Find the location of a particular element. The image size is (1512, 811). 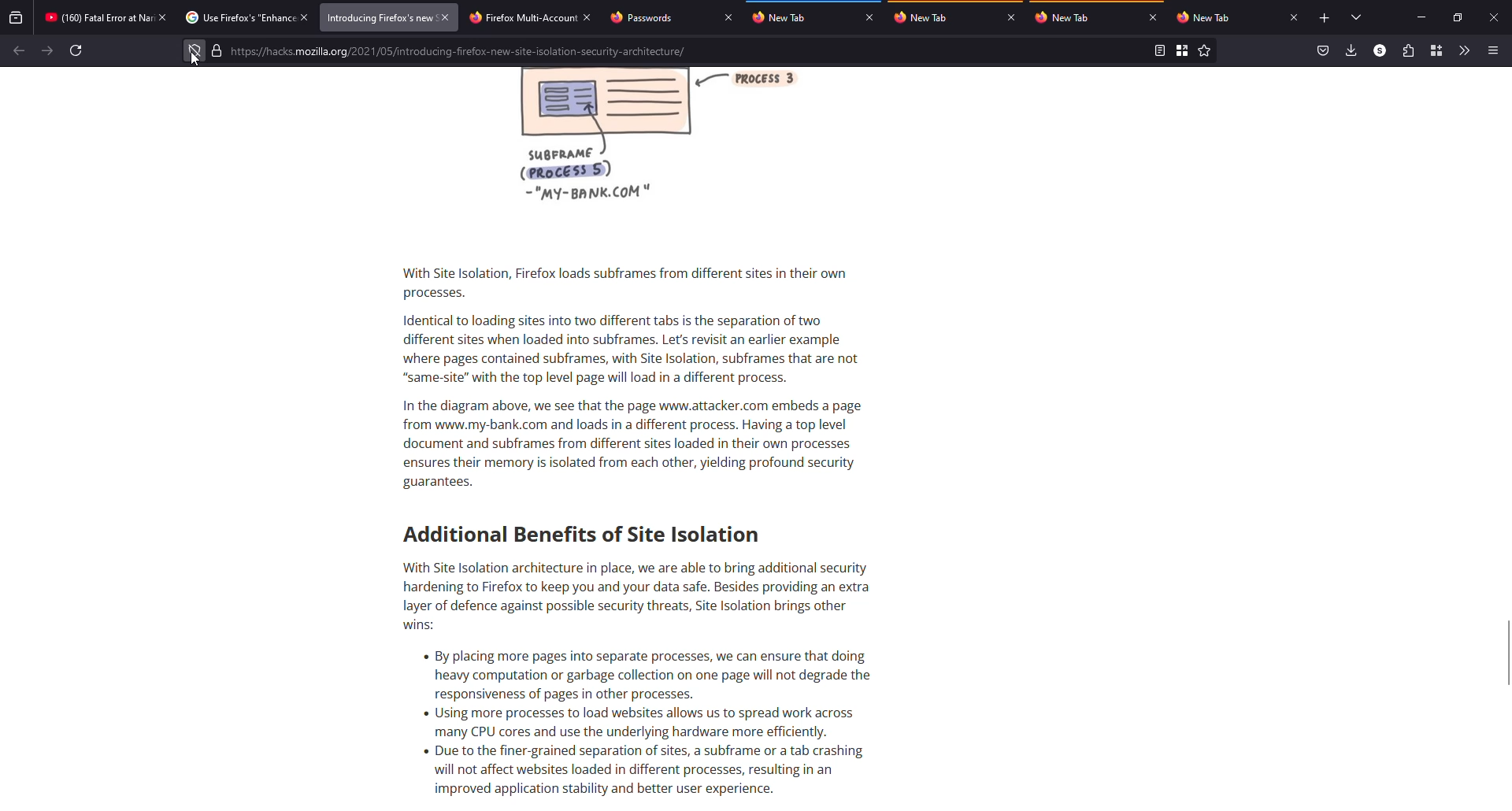

read is located at coordinates (1158, 50).